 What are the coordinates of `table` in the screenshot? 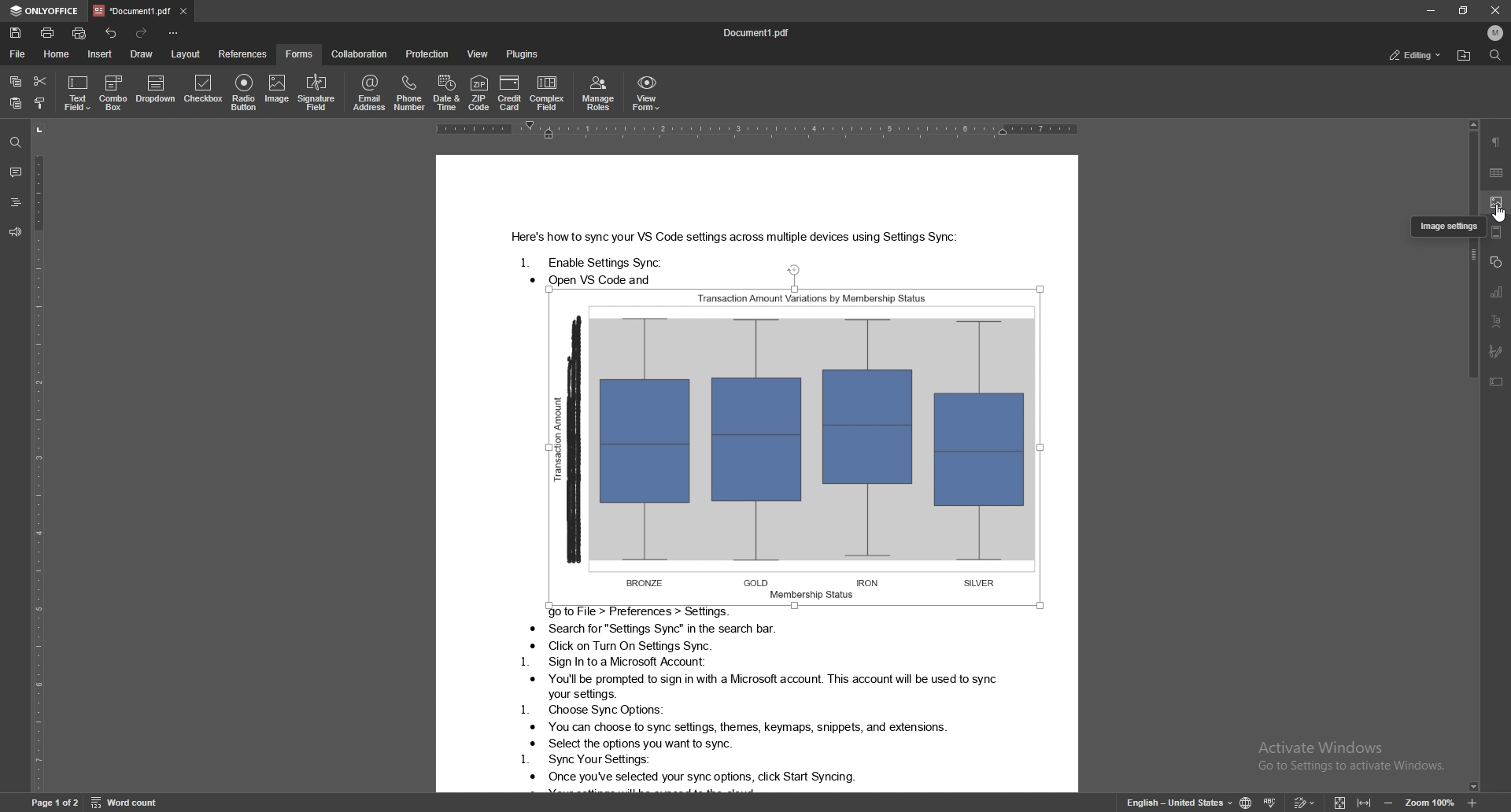 It's located at (1496, 172).